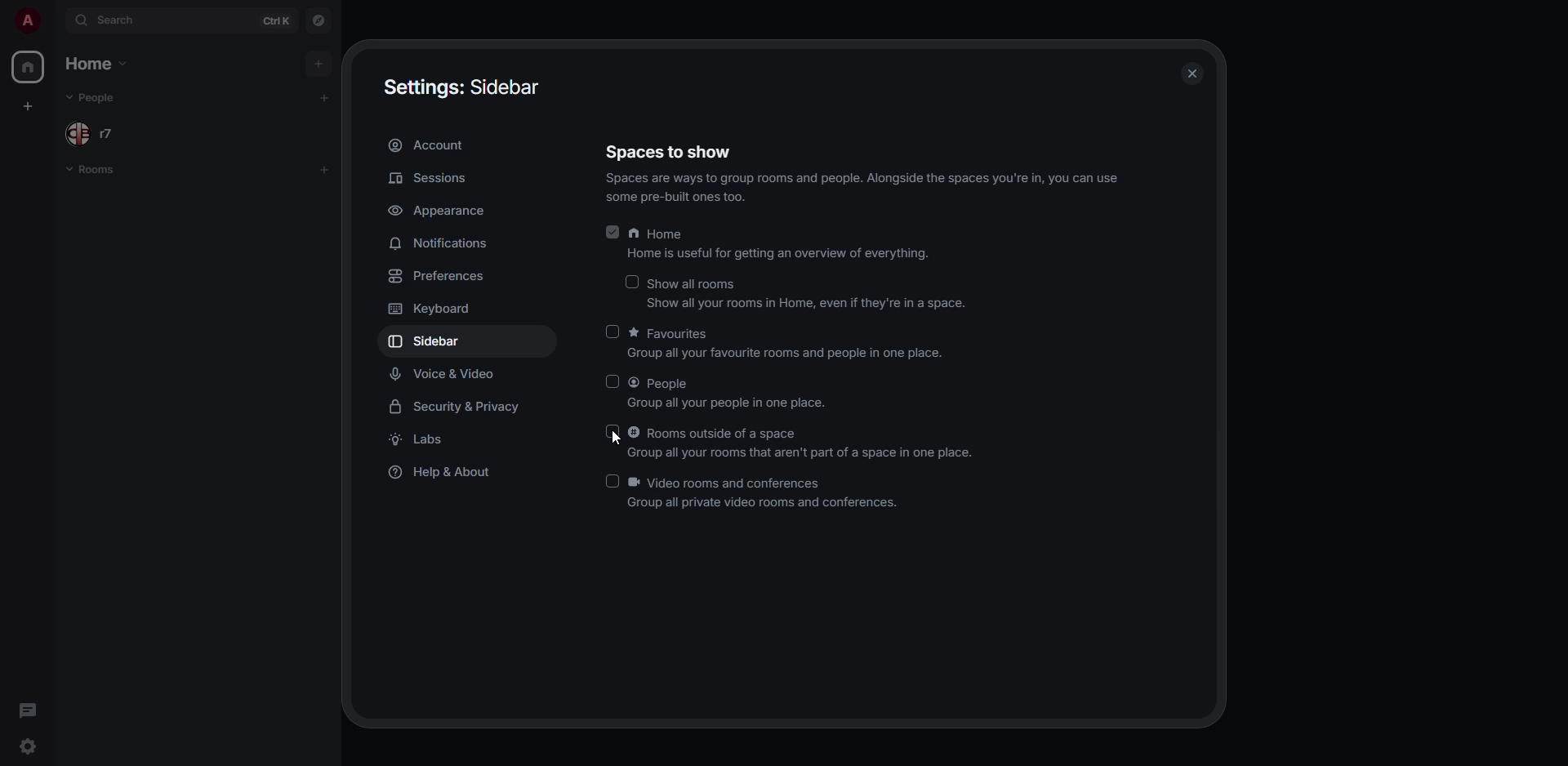 The image size is (1568, 766). Describe the element at coordinates (613, 232) in the screenshot. I see `enabled` at that location.